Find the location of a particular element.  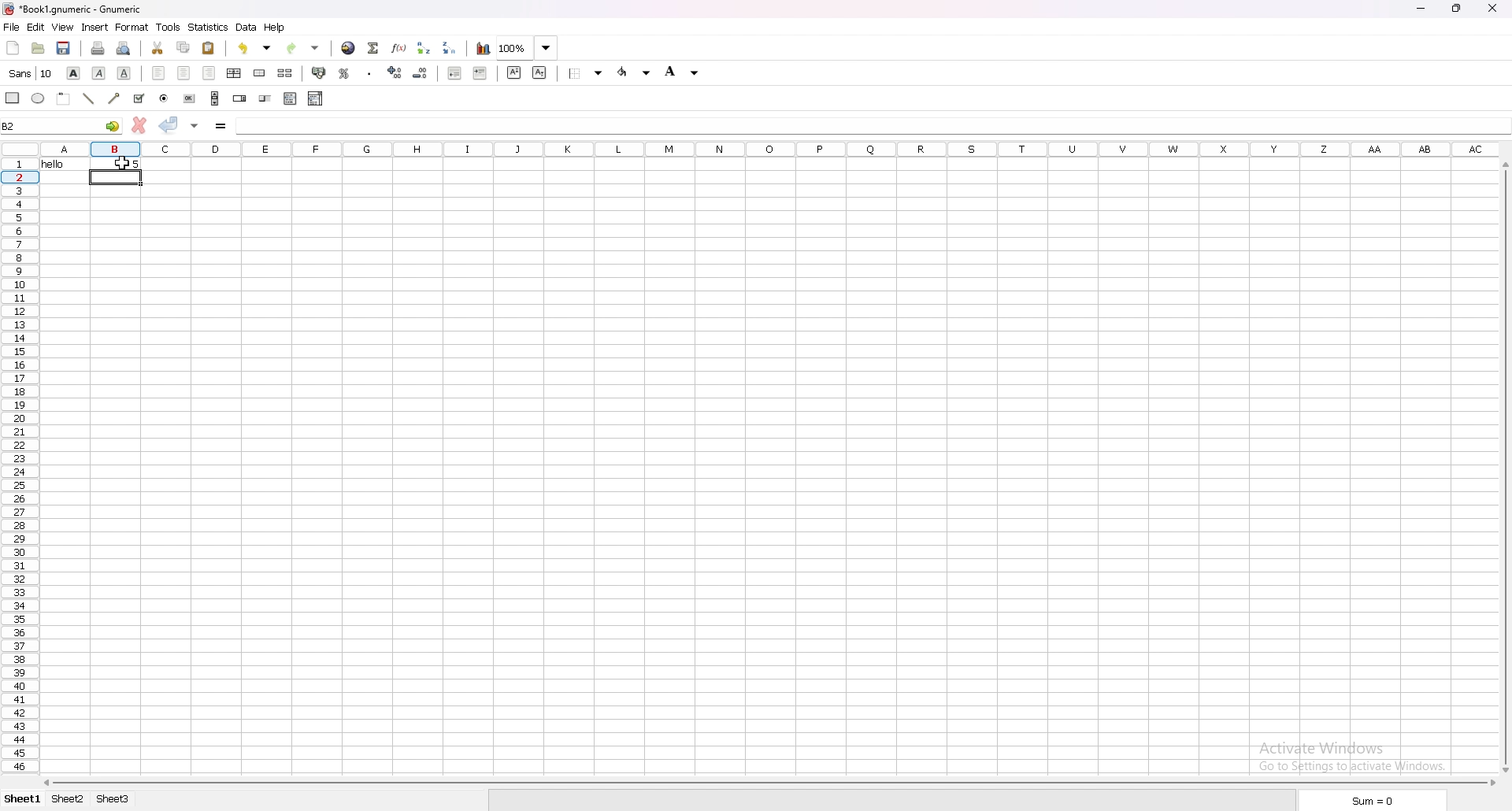

center horizontal is located at coordinates (235, 74).